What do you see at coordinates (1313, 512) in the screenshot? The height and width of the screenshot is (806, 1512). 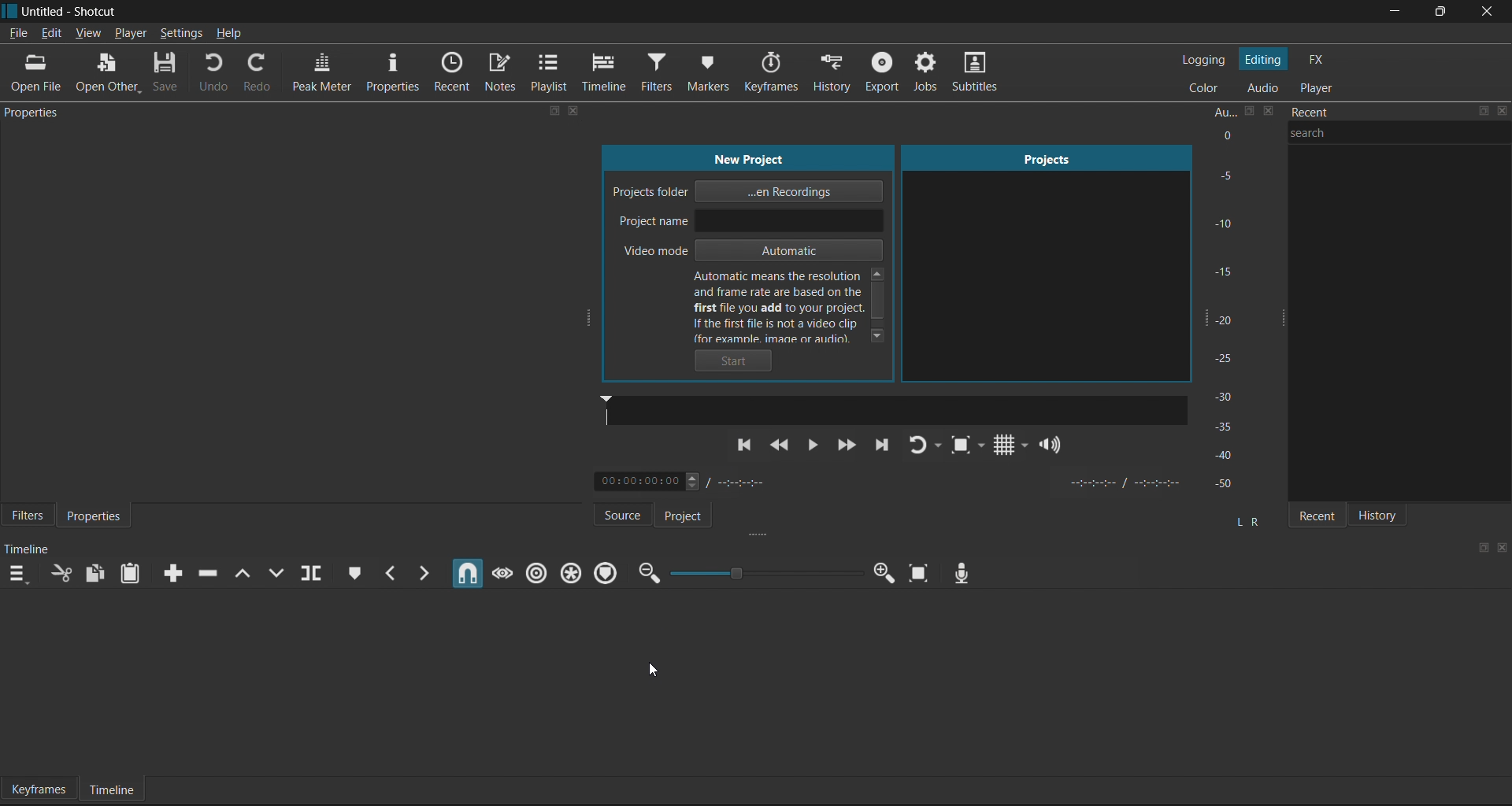 I see `Recent` at bounding box center [1313, 512].